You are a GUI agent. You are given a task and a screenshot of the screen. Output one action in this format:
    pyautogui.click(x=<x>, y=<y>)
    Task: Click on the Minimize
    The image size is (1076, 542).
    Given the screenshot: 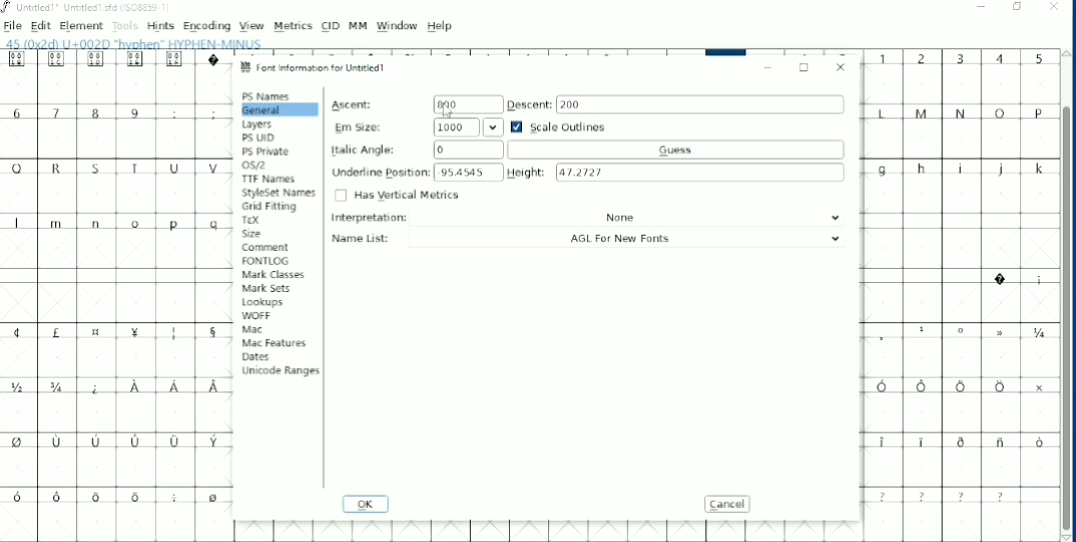 What is the action you would take?
    pyautogui.click(x=983, y=8)
    